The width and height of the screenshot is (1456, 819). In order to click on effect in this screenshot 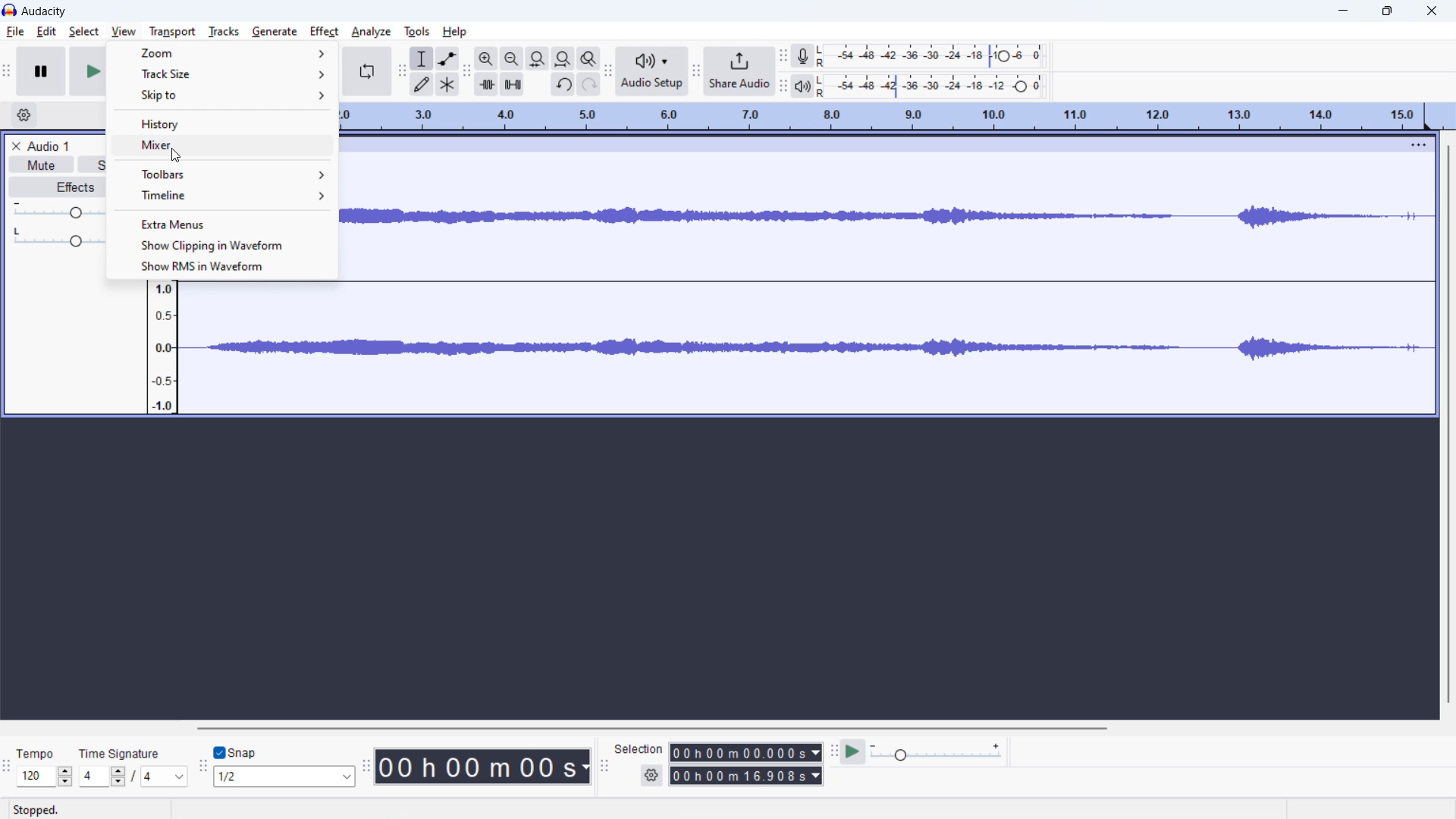, I will do `click(324, 31)`.